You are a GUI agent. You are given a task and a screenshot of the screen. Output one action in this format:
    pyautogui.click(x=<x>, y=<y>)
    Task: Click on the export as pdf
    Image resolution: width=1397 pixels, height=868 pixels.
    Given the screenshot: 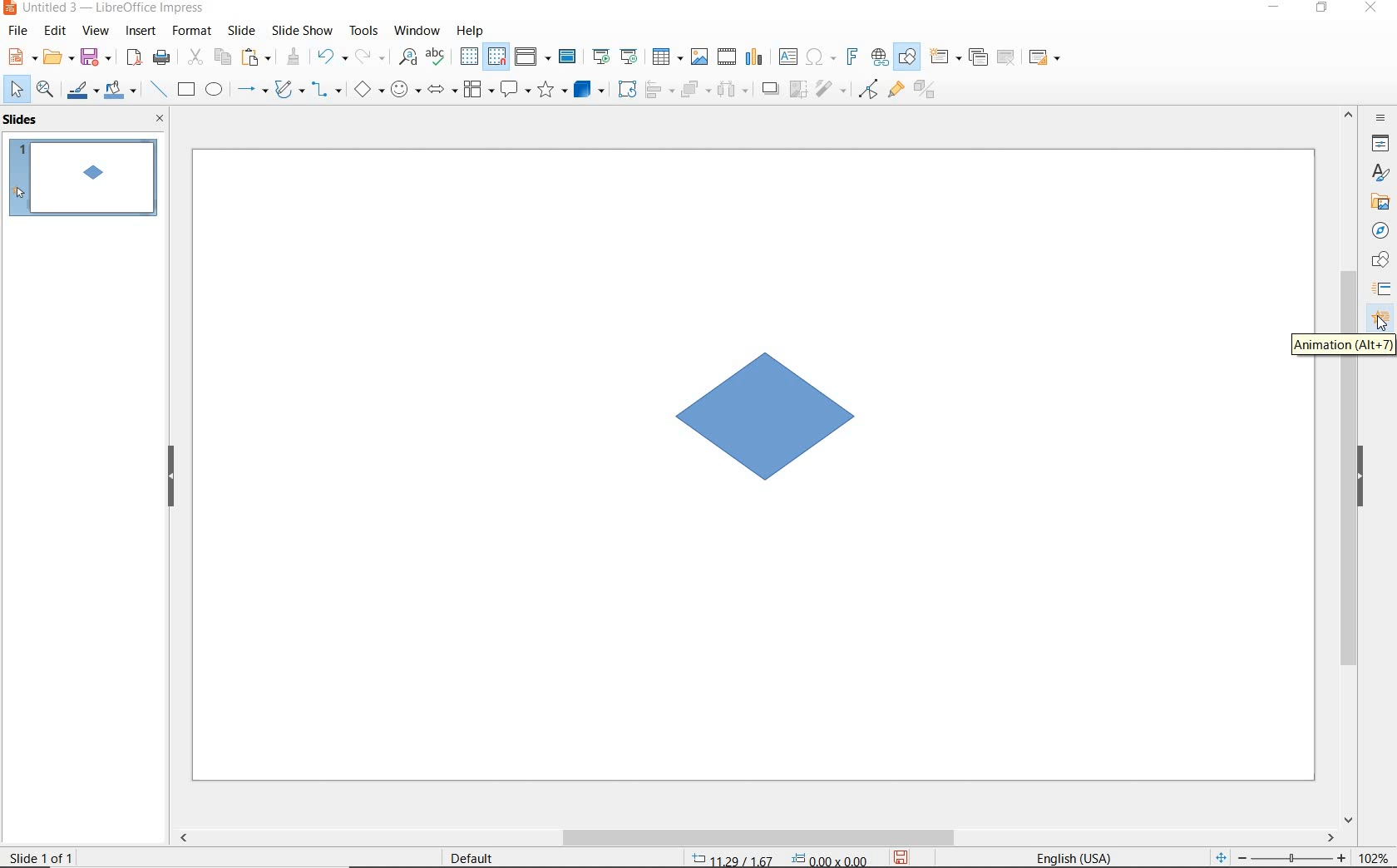 What is the action you would take?
    pyautogui.click(x=134, y=57)
    